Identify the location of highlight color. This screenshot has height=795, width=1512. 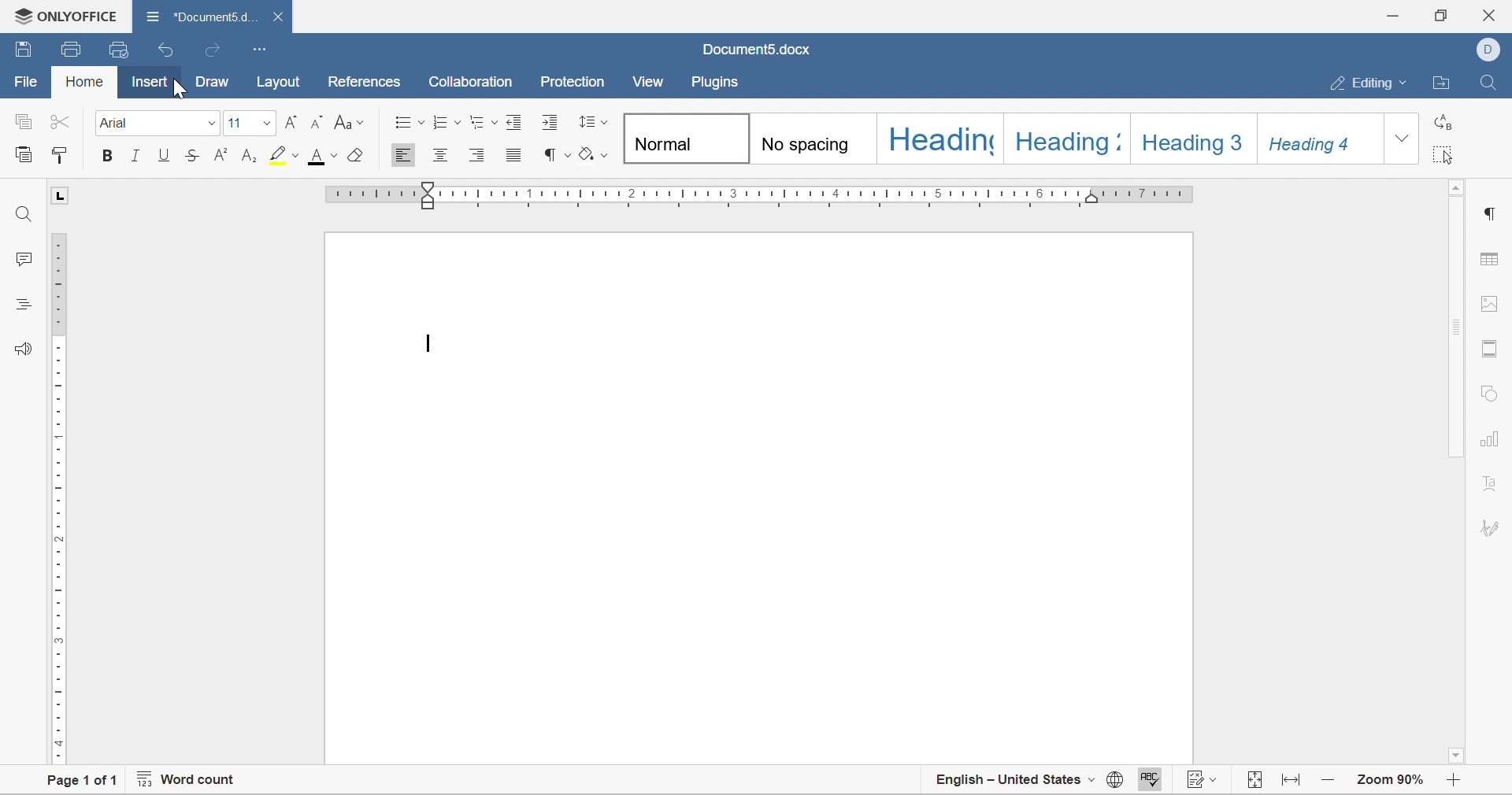
(283, 154).